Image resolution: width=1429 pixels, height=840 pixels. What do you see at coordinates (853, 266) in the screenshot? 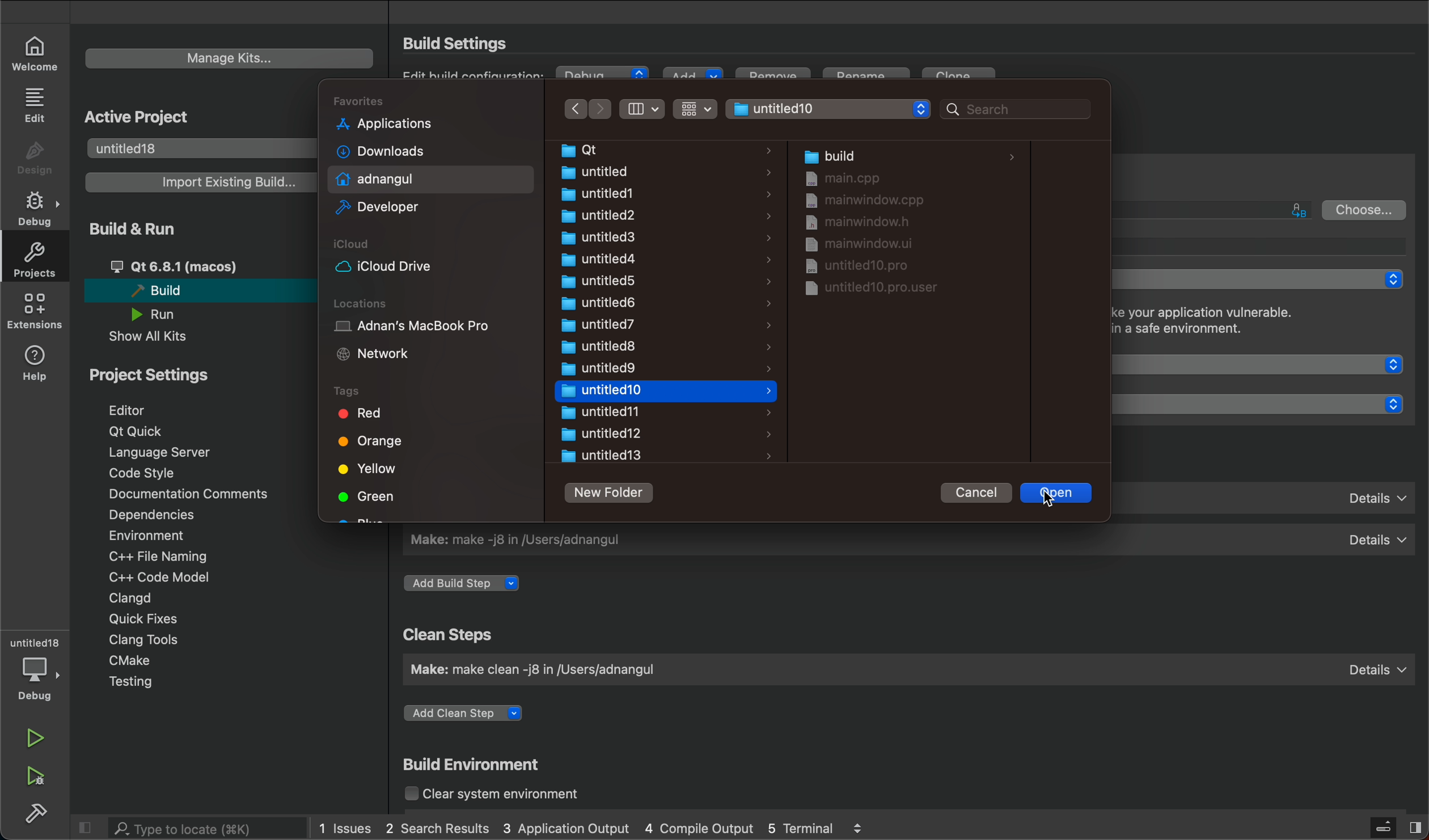
I see `untitled10.pro` at bounding box center [853, 266].